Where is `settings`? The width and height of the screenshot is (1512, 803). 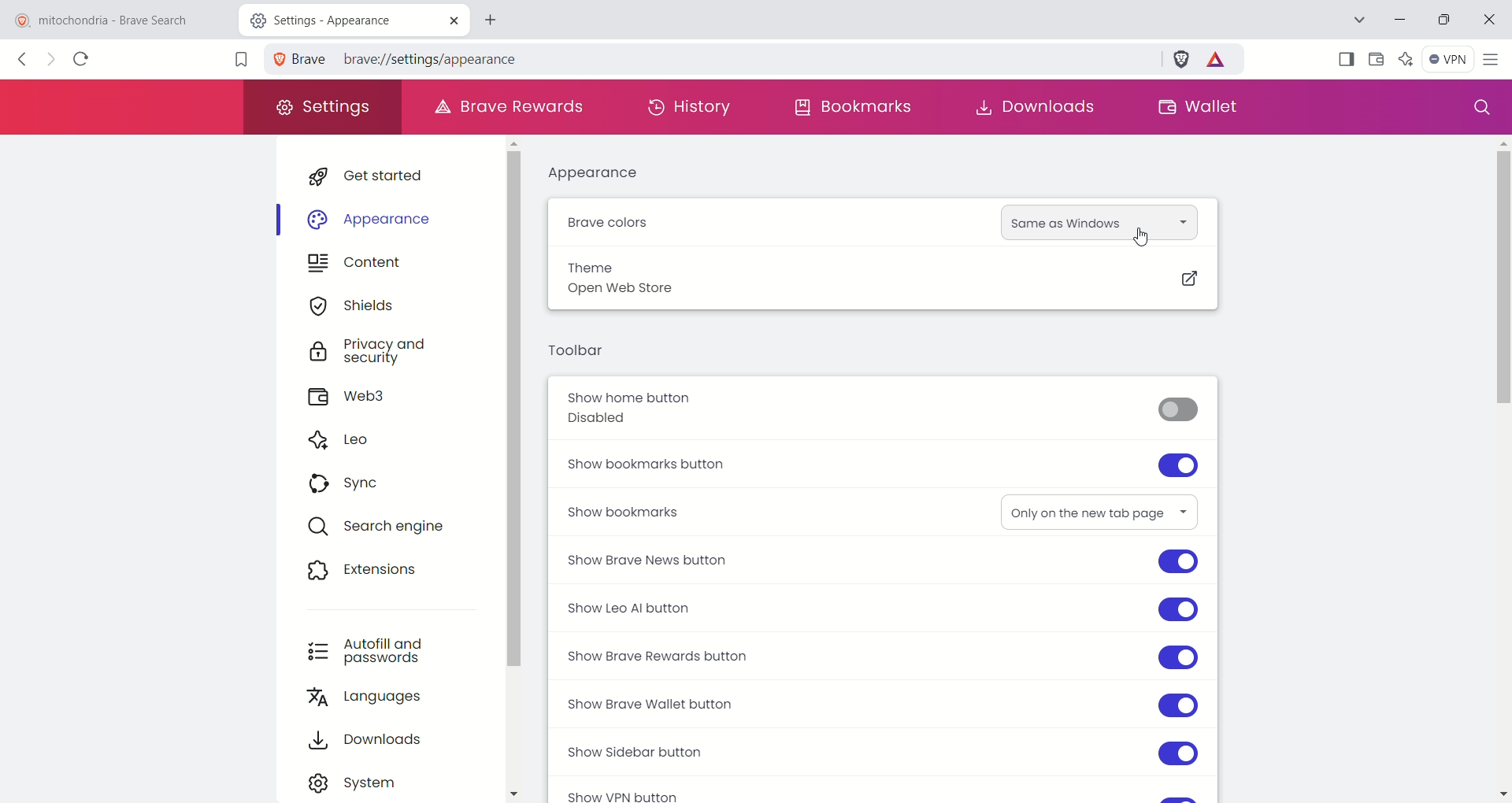
settings is located at coordinates (322, 109).